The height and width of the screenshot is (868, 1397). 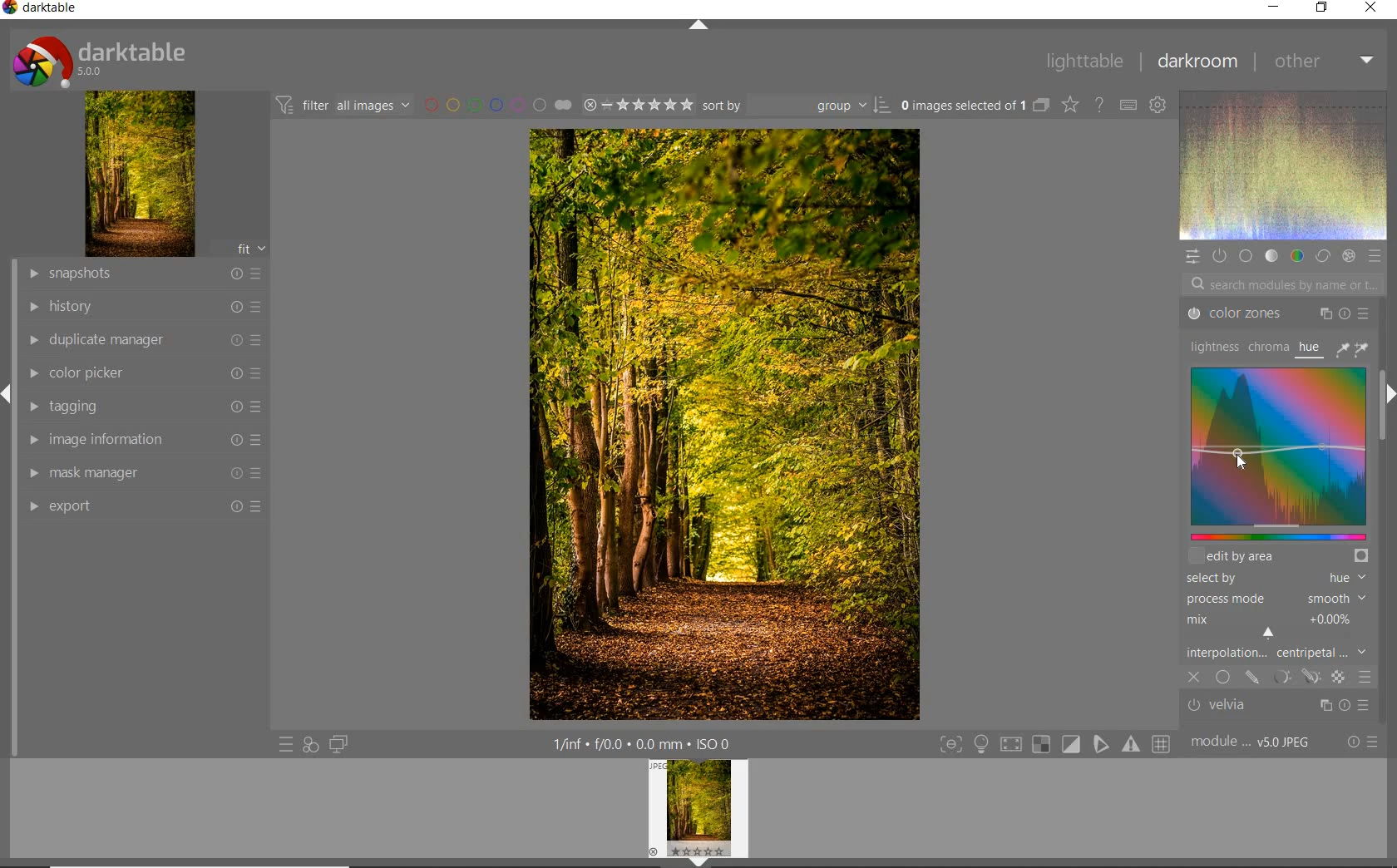 What do you see at coordinates (1220, 255) in the screenshot?
I see `SHOW ONLY ACTIVE MODULE` at bounding box center [1220, 255].